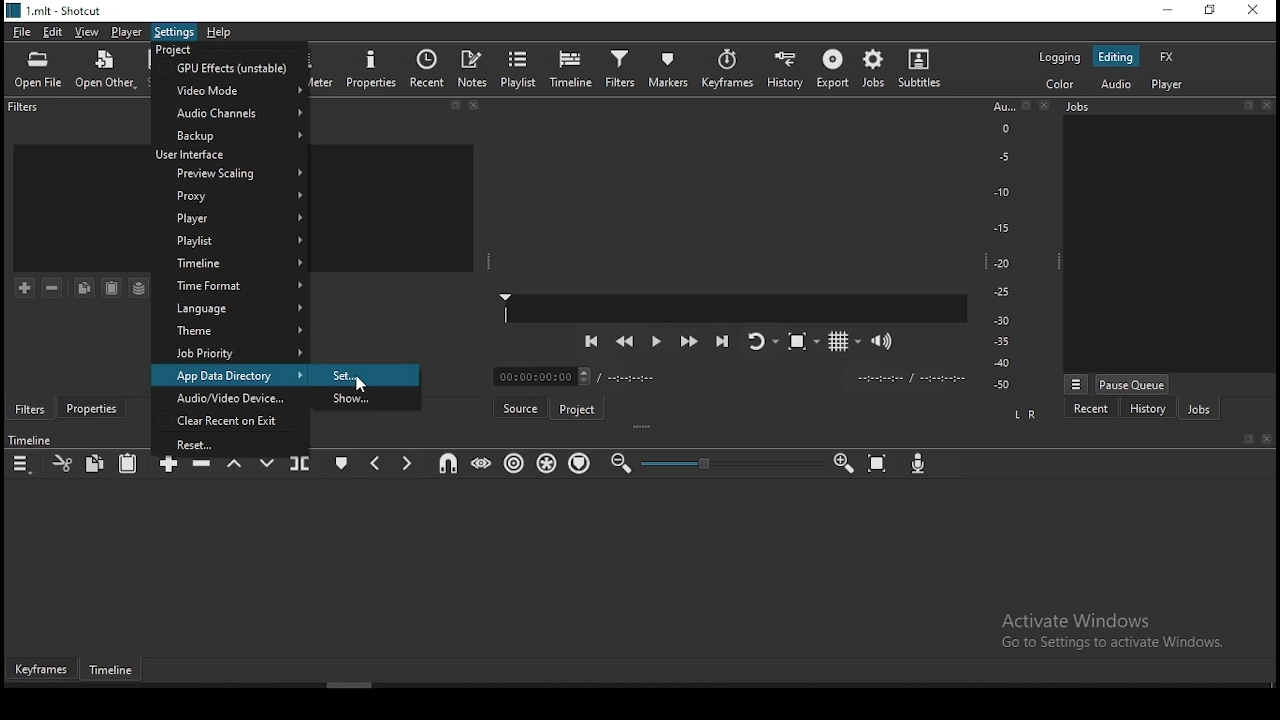  I want to click on job priority, so click(230, 352).